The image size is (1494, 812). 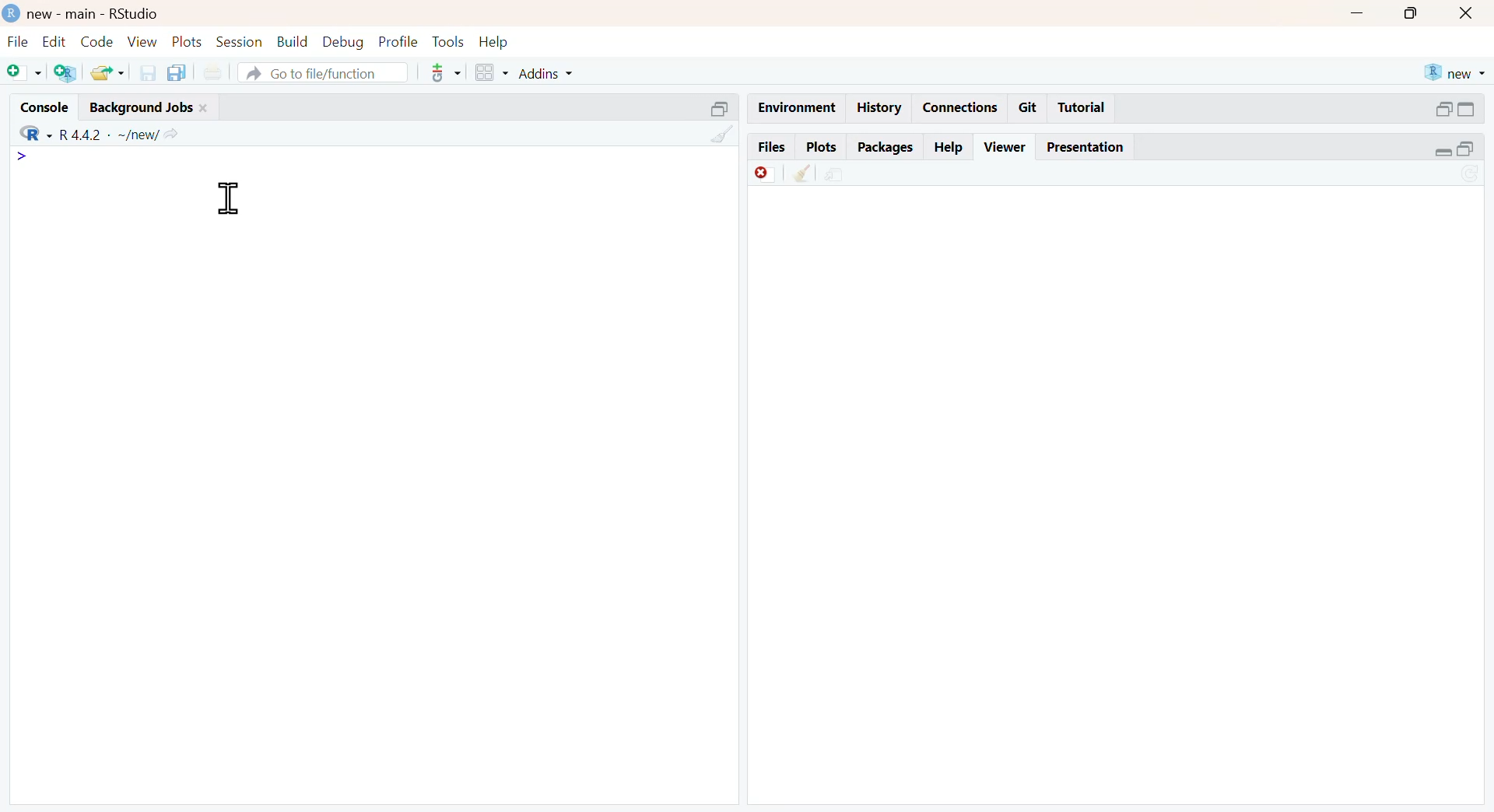 What do you see at coordinates (494, 43) in the screenshot?
I see `help` at bounding box center [494, 43].